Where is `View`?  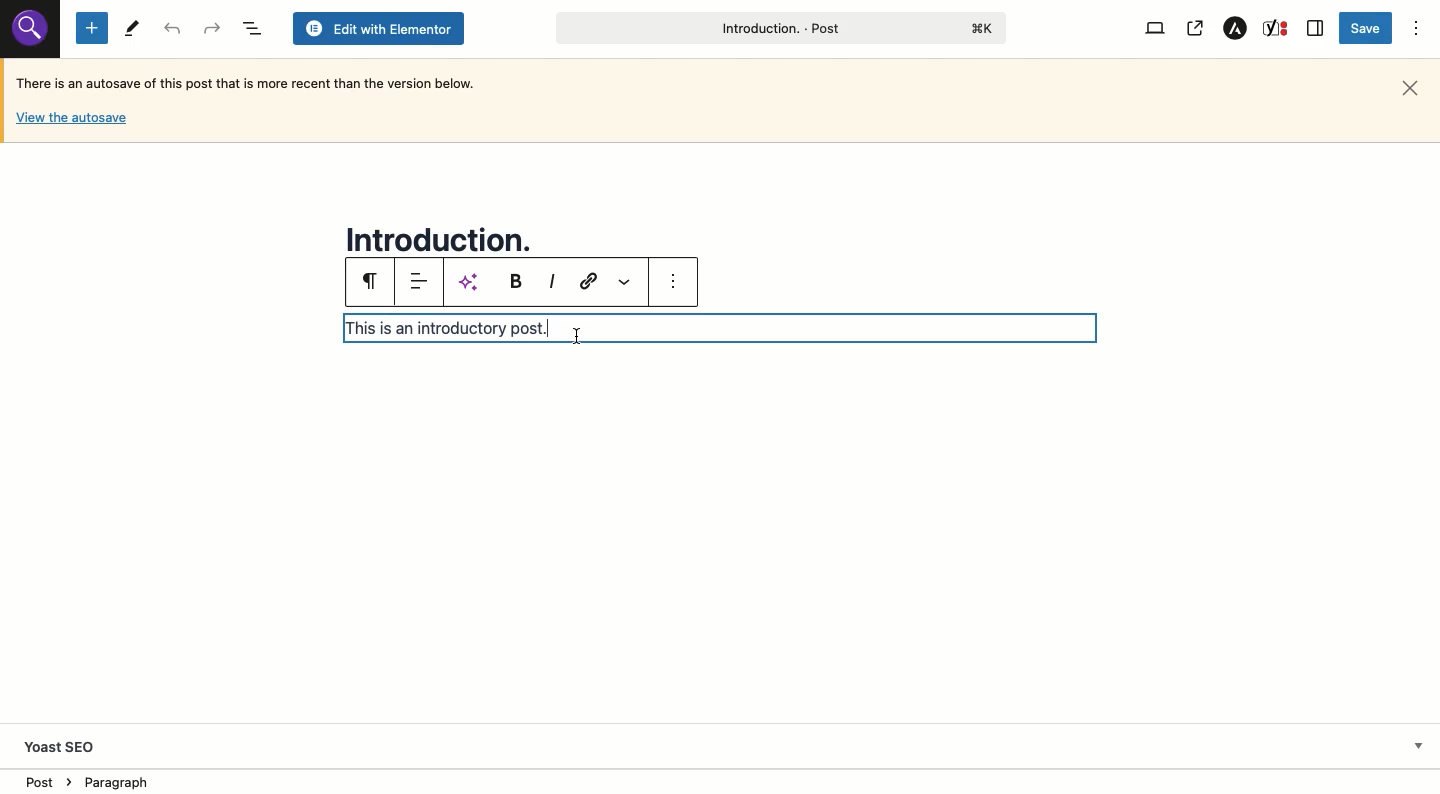
View is located at coordinates (1158, 29).